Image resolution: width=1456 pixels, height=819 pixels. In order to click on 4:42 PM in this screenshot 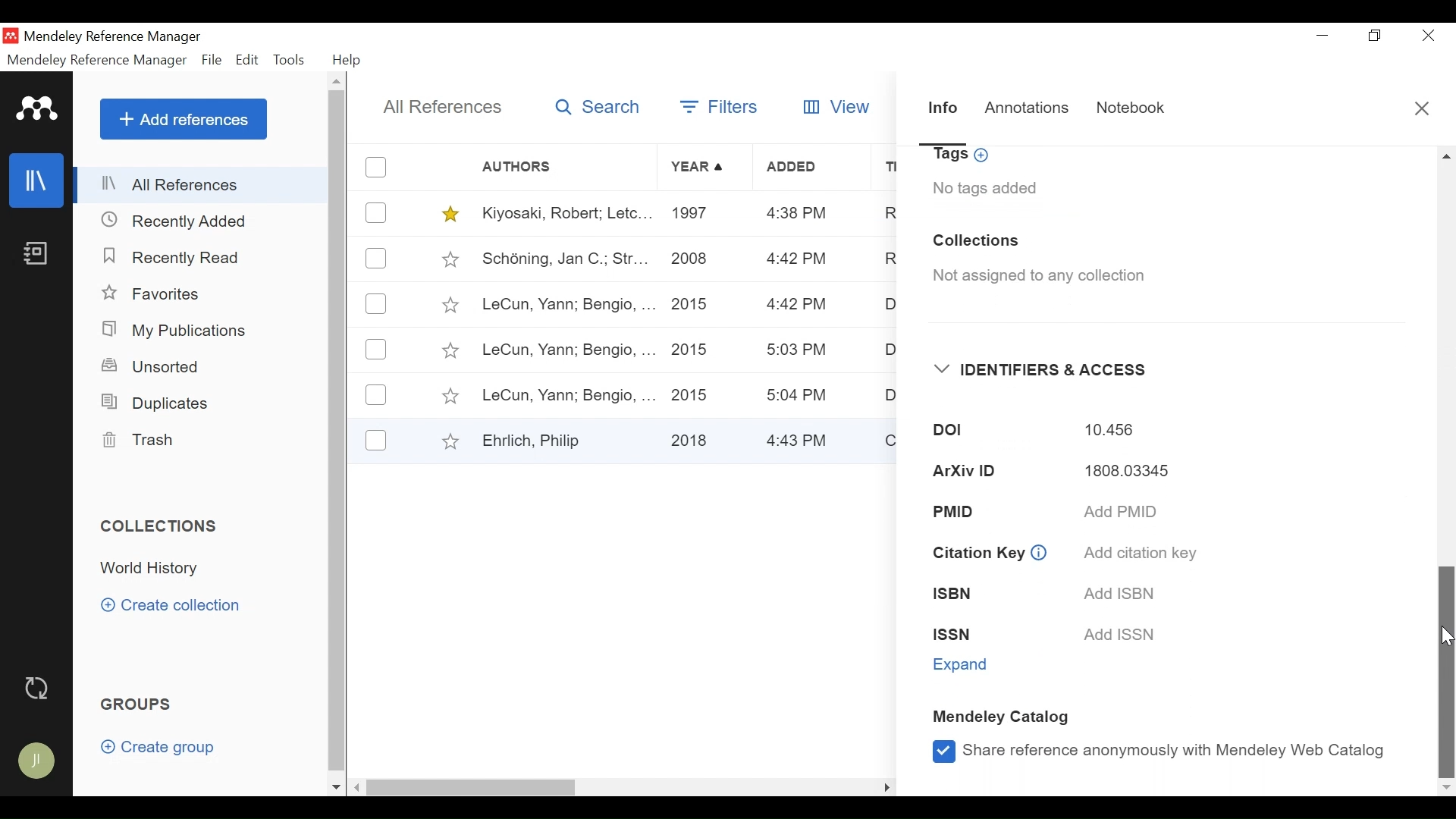, I will do `click(794, 306)`.